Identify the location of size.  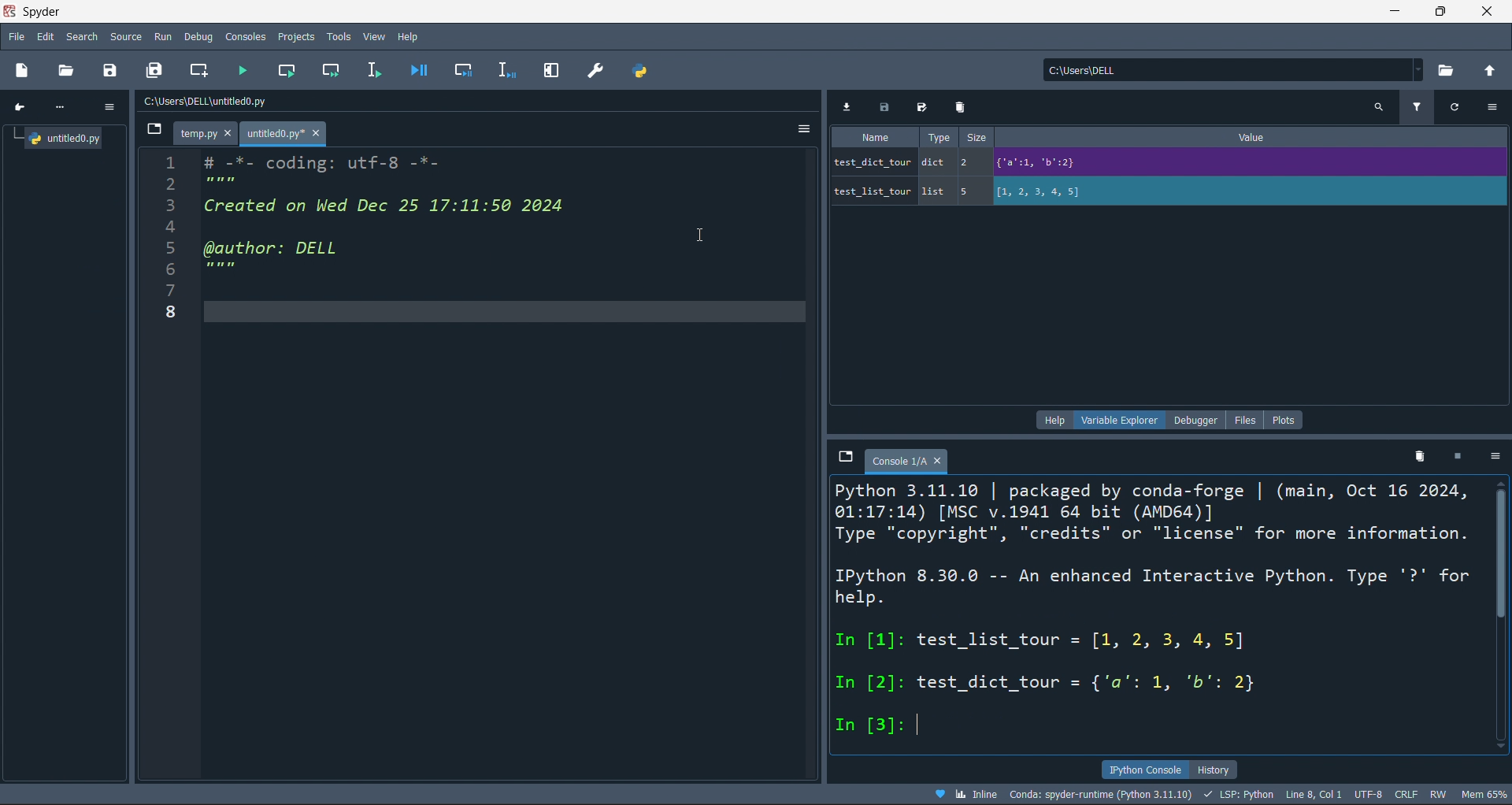
(977, 137).